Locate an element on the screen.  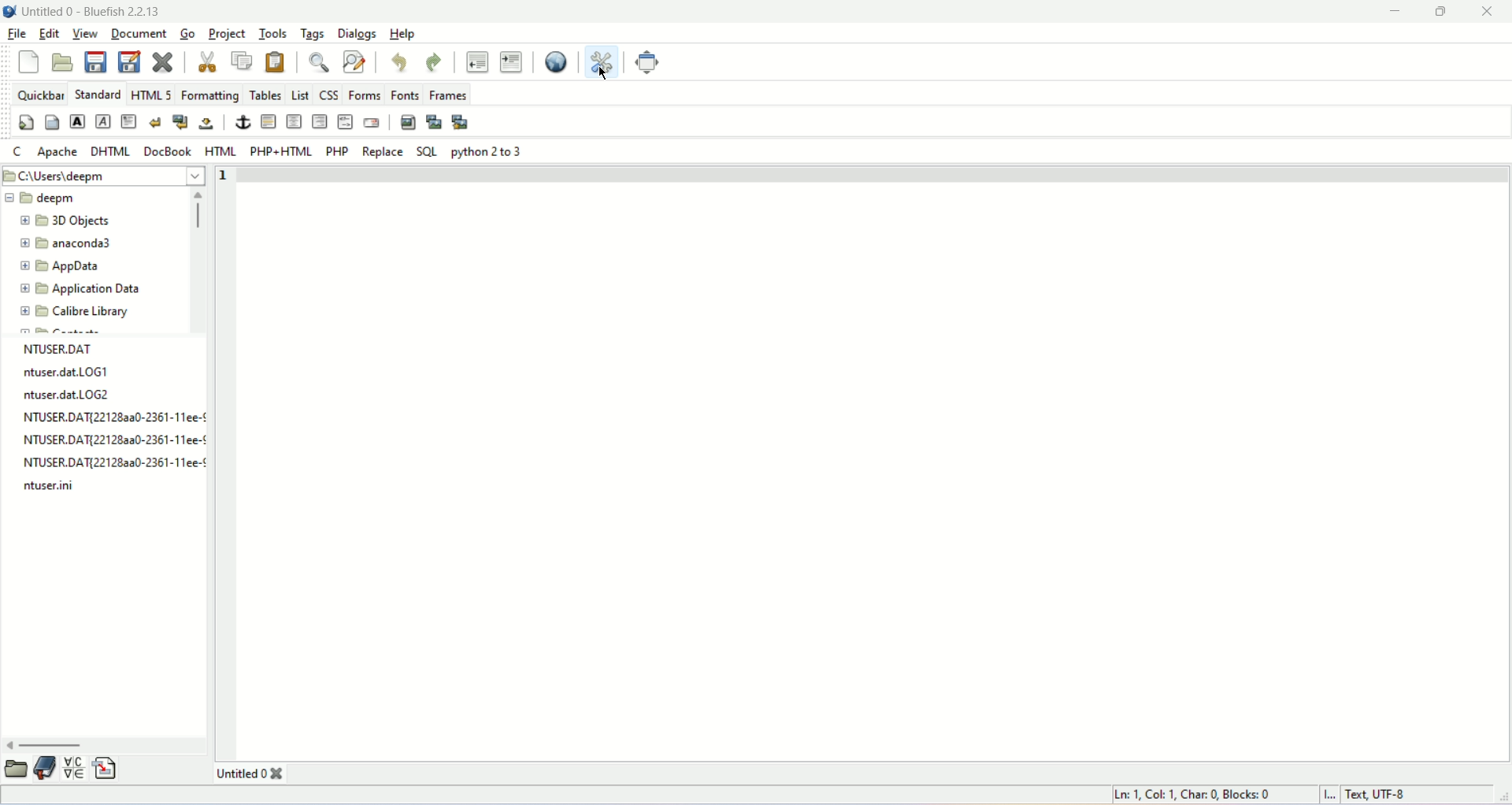
STANDARD is located at coordinates (97, 93).